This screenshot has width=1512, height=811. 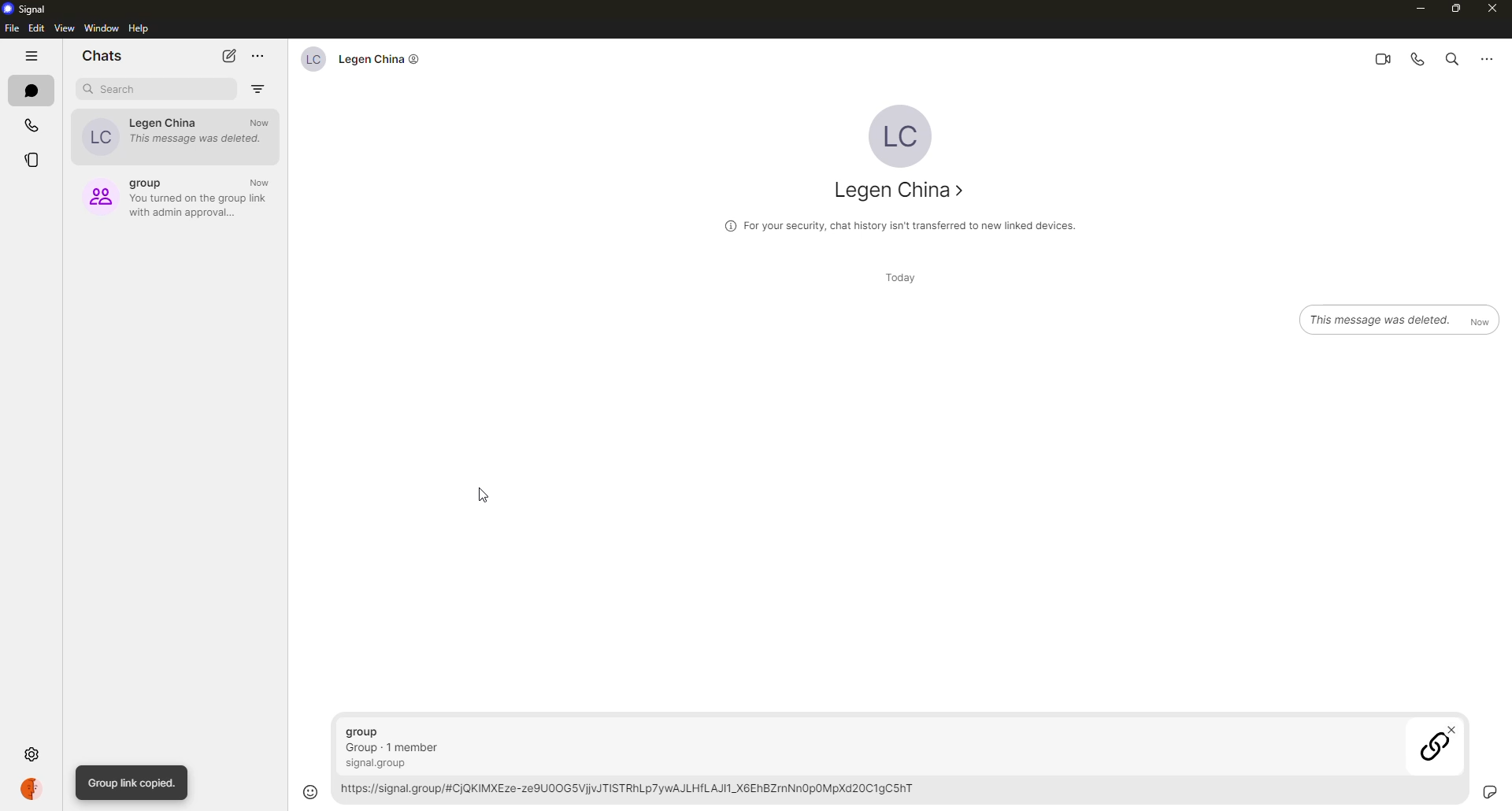 What do you see at coordinates (1378, 58) in the screenshot?
I see `video` at bounding box center [1378, 58].